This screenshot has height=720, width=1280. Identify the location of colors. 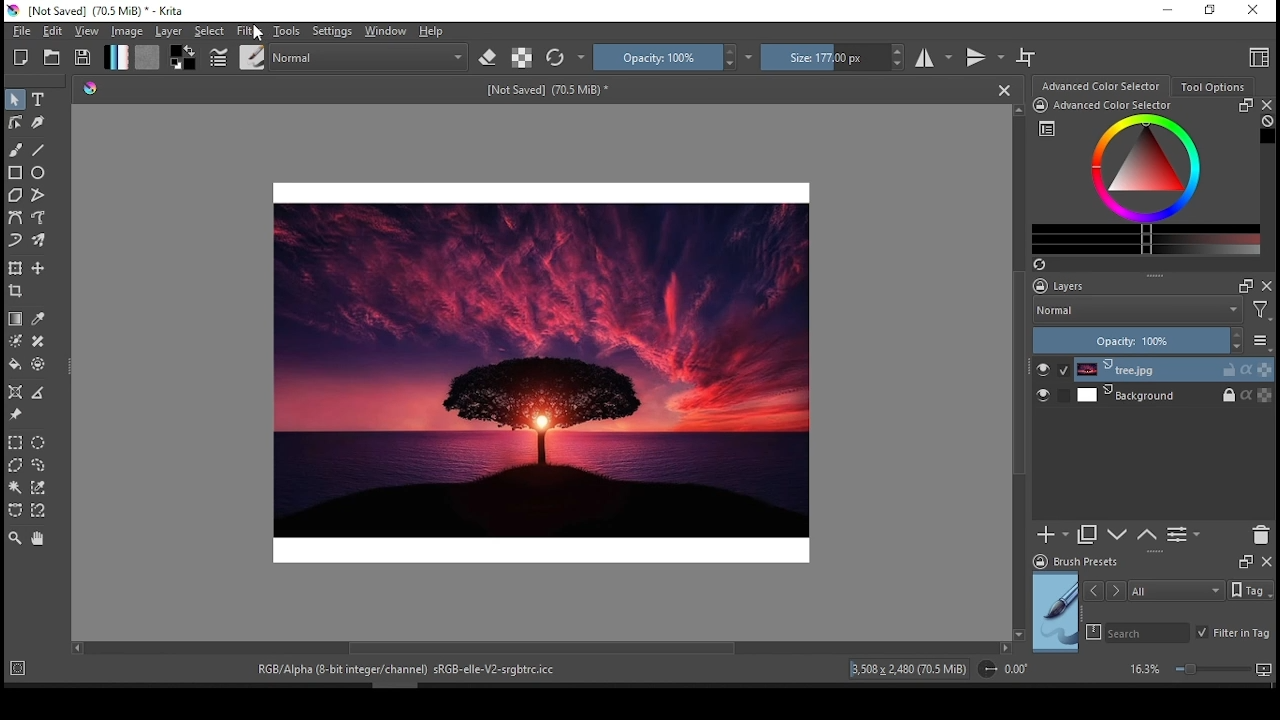
(185, 57).